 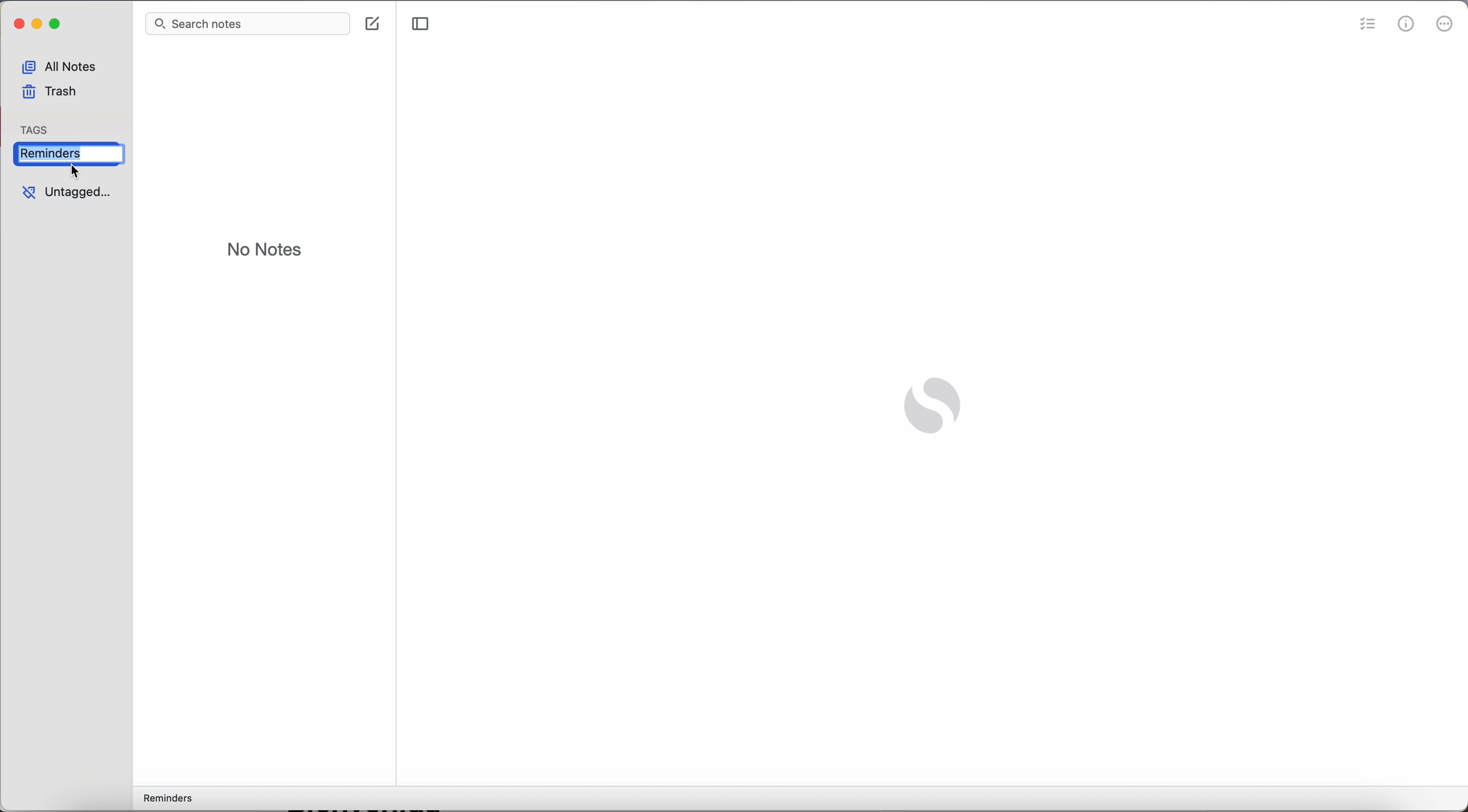 What do you see at coordinates (50, 94) in the screenshot?
I see `trash` at bounding box center [50, 94].